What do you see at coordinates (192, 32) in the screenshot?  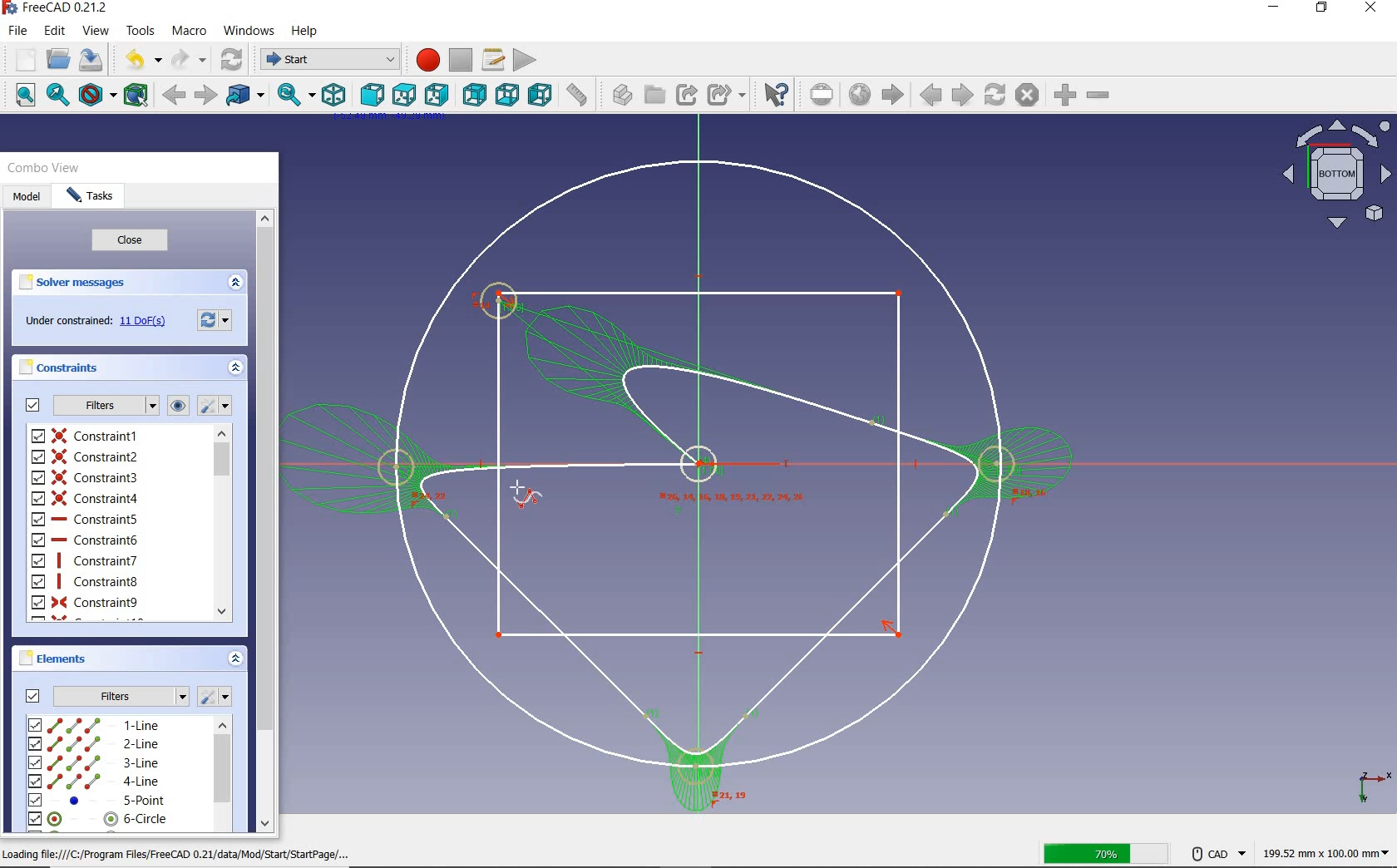 I see `macro` at bounding box center [192, 32].